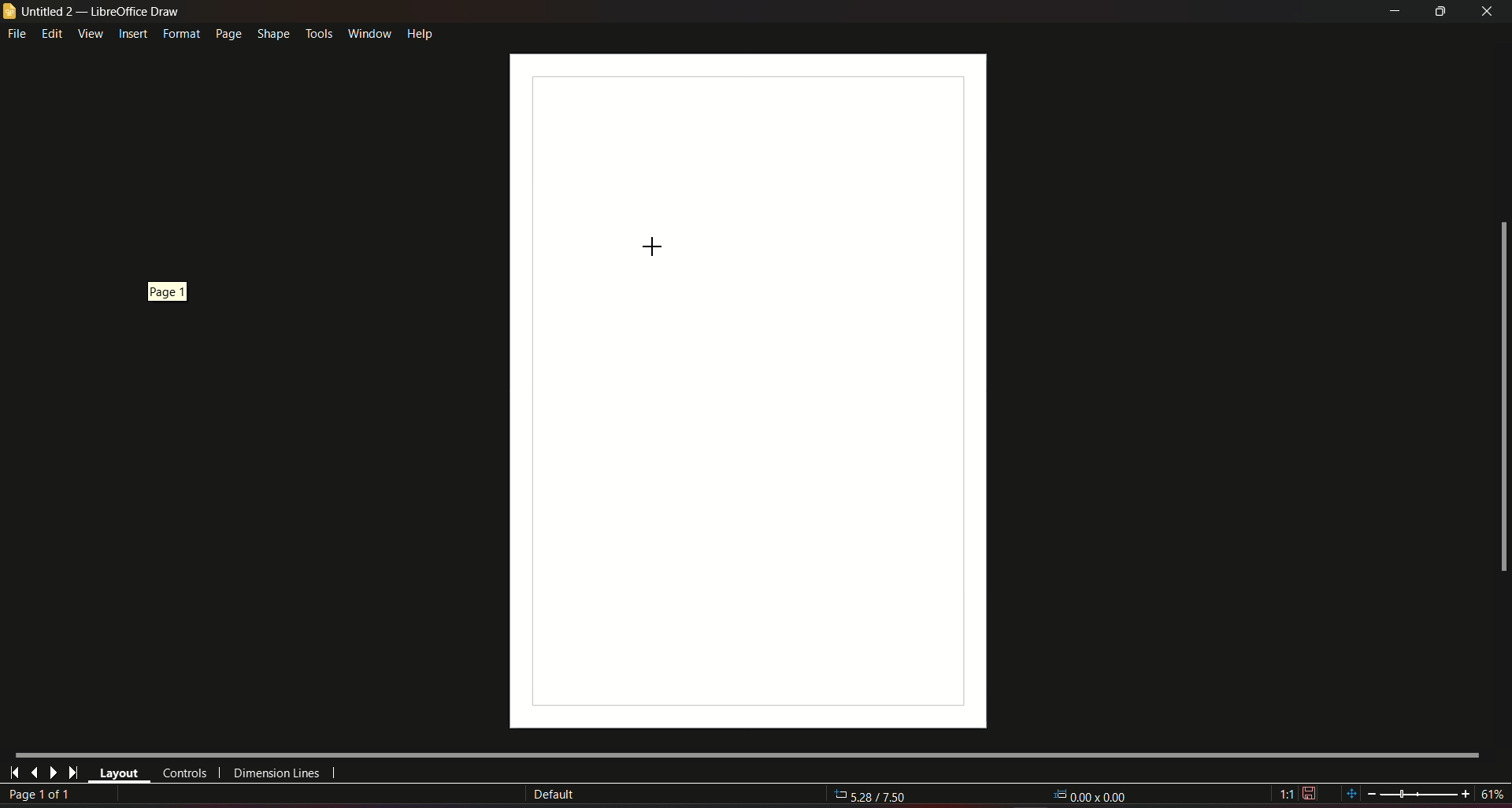 The image size is (1512, 808). What do you see at coordinates (554, 795) in the screenshot?
I see `Default` at bounding box center [554, 795].